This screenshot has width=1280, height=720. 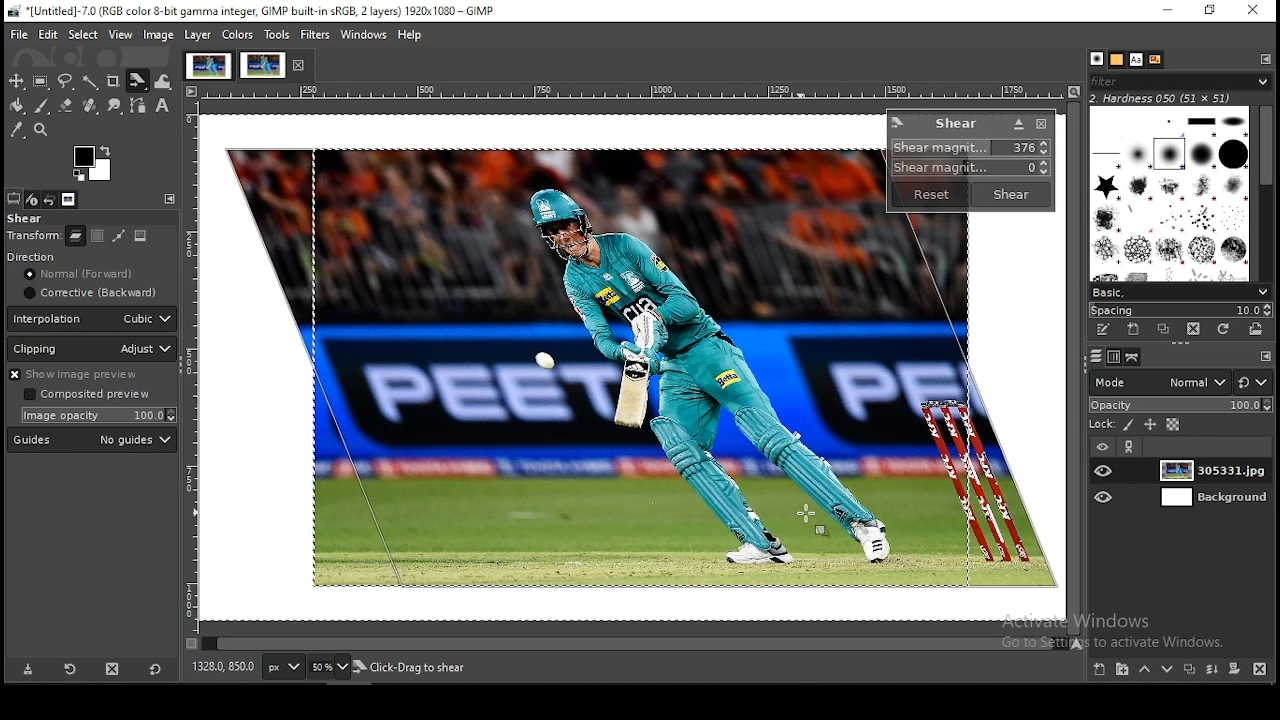 I want to click on smudge tools, so click(x=113, y=105).